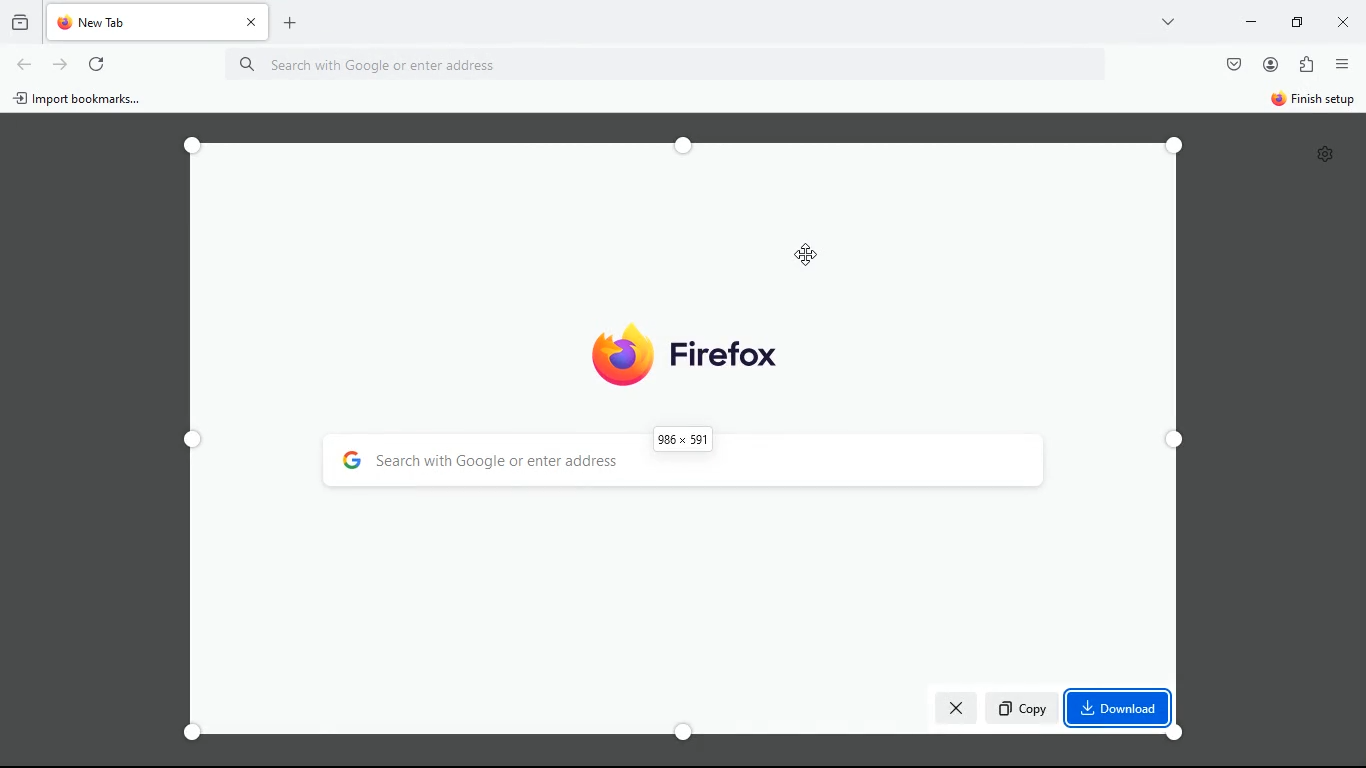 This screenshot has height=768, width=1366. I want to click on Search bar, so click(681, 66).